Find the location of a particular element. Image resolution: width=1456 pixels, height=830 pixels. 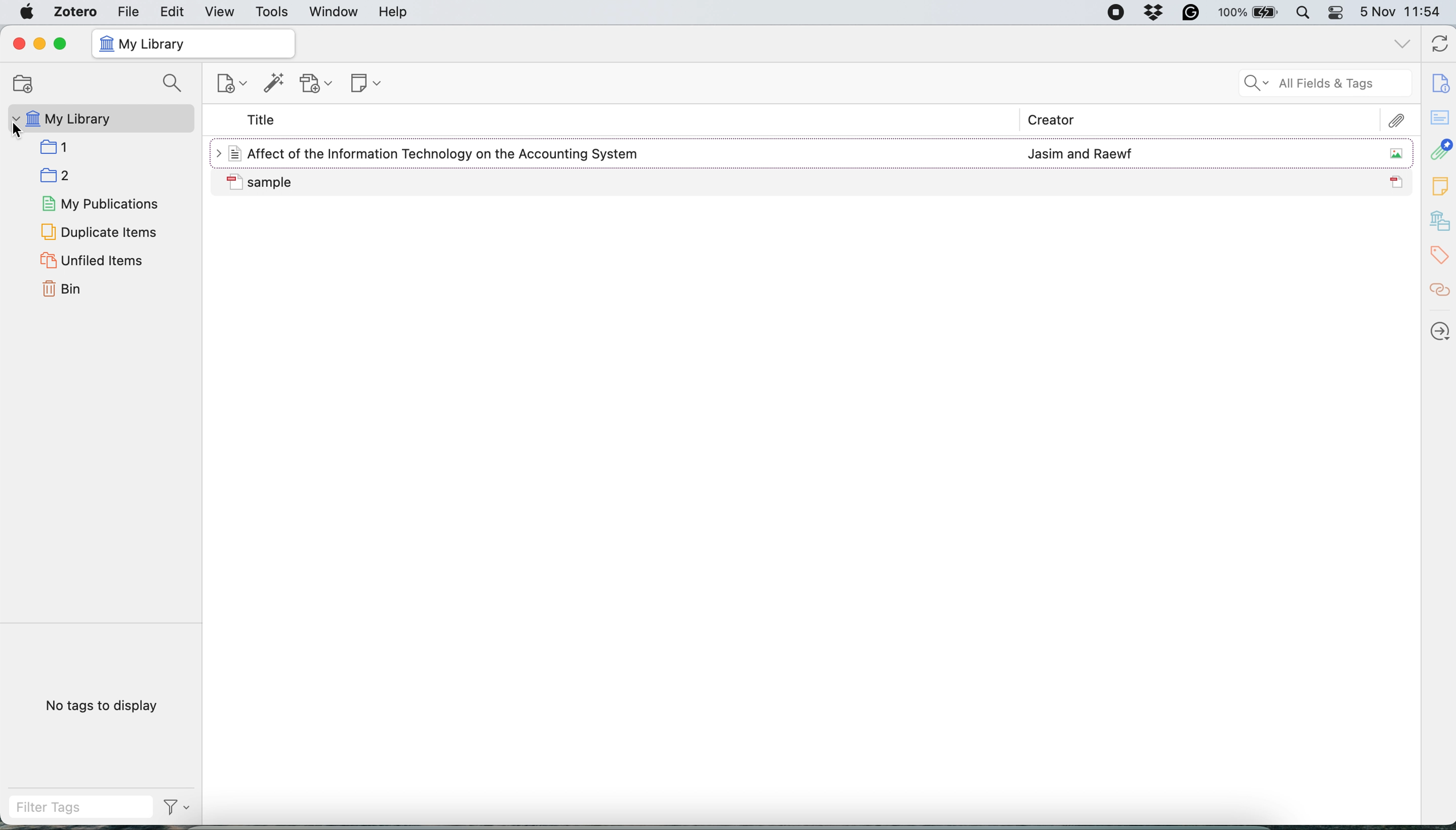

Sample is located at coordinates (408, 182).